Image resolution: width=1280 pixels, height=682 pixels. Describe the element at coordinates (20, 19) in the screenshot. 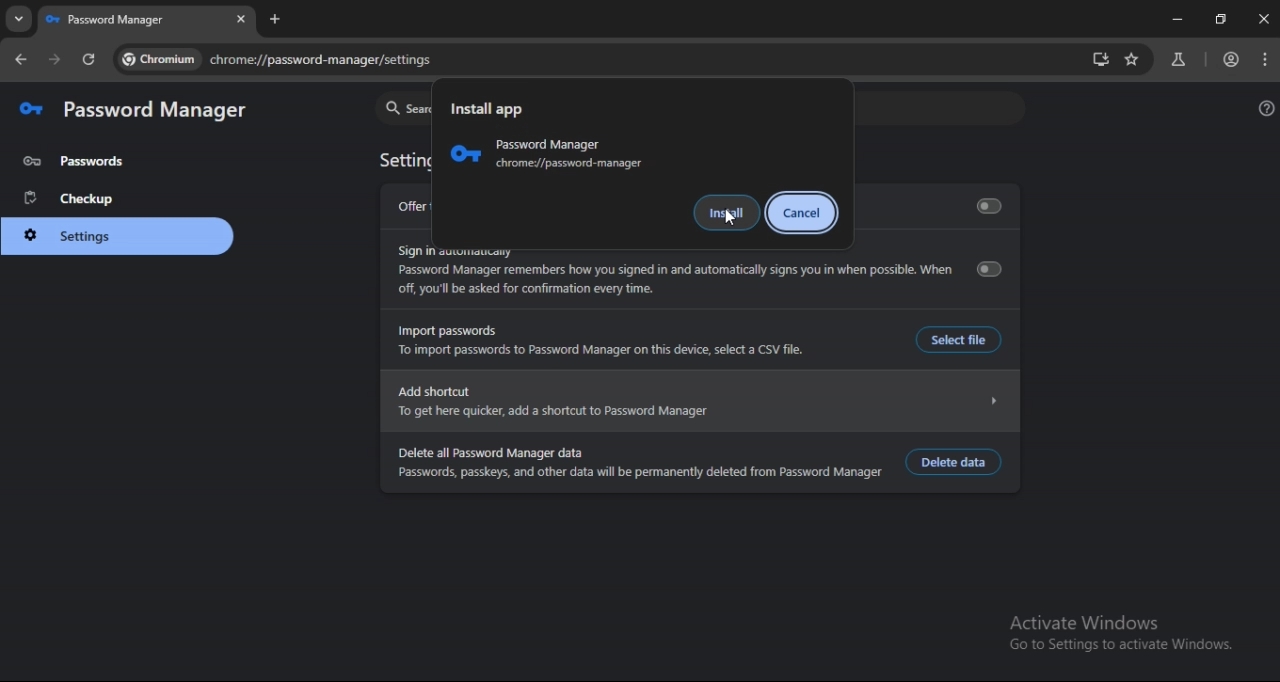

I see `search tabs` at that location.